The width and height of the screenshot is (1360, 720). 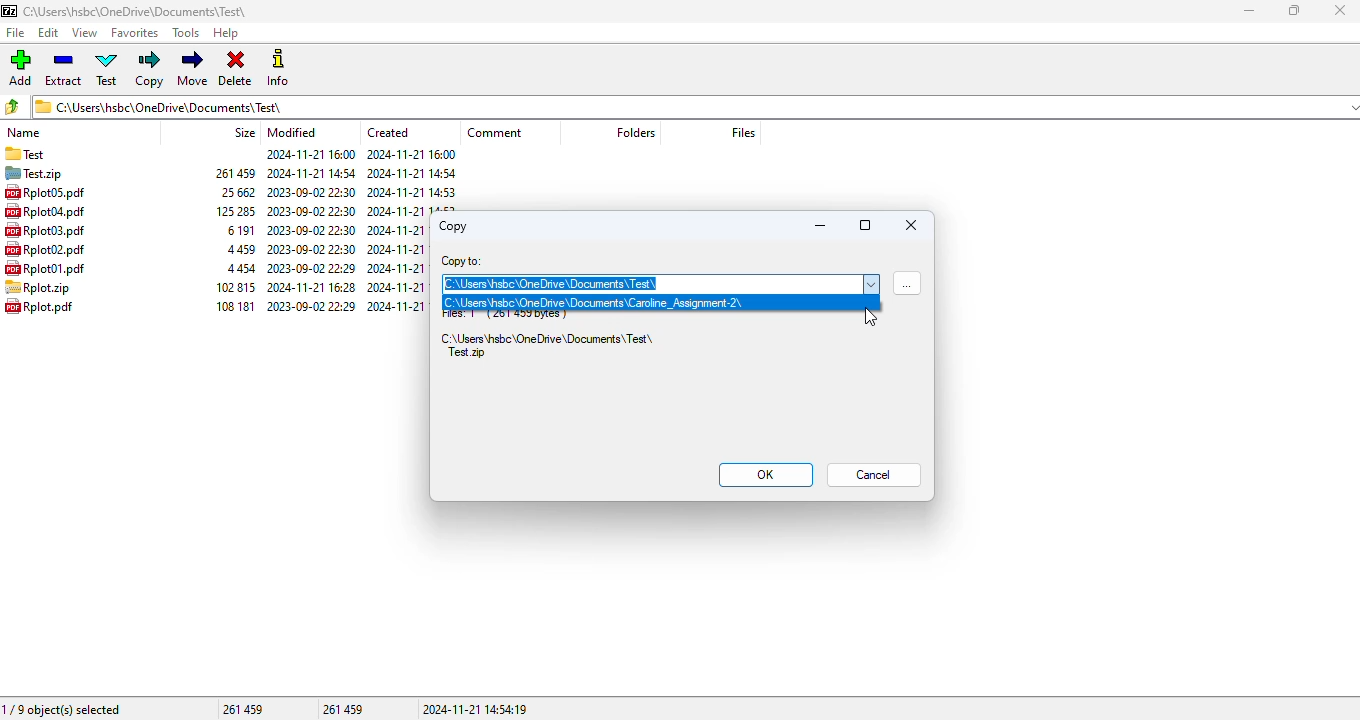 What do you see at coordinates (504, 318) in the screenshot?
I see `Files: 1 (261 459 bytes)` at bounding box center [504, 318].